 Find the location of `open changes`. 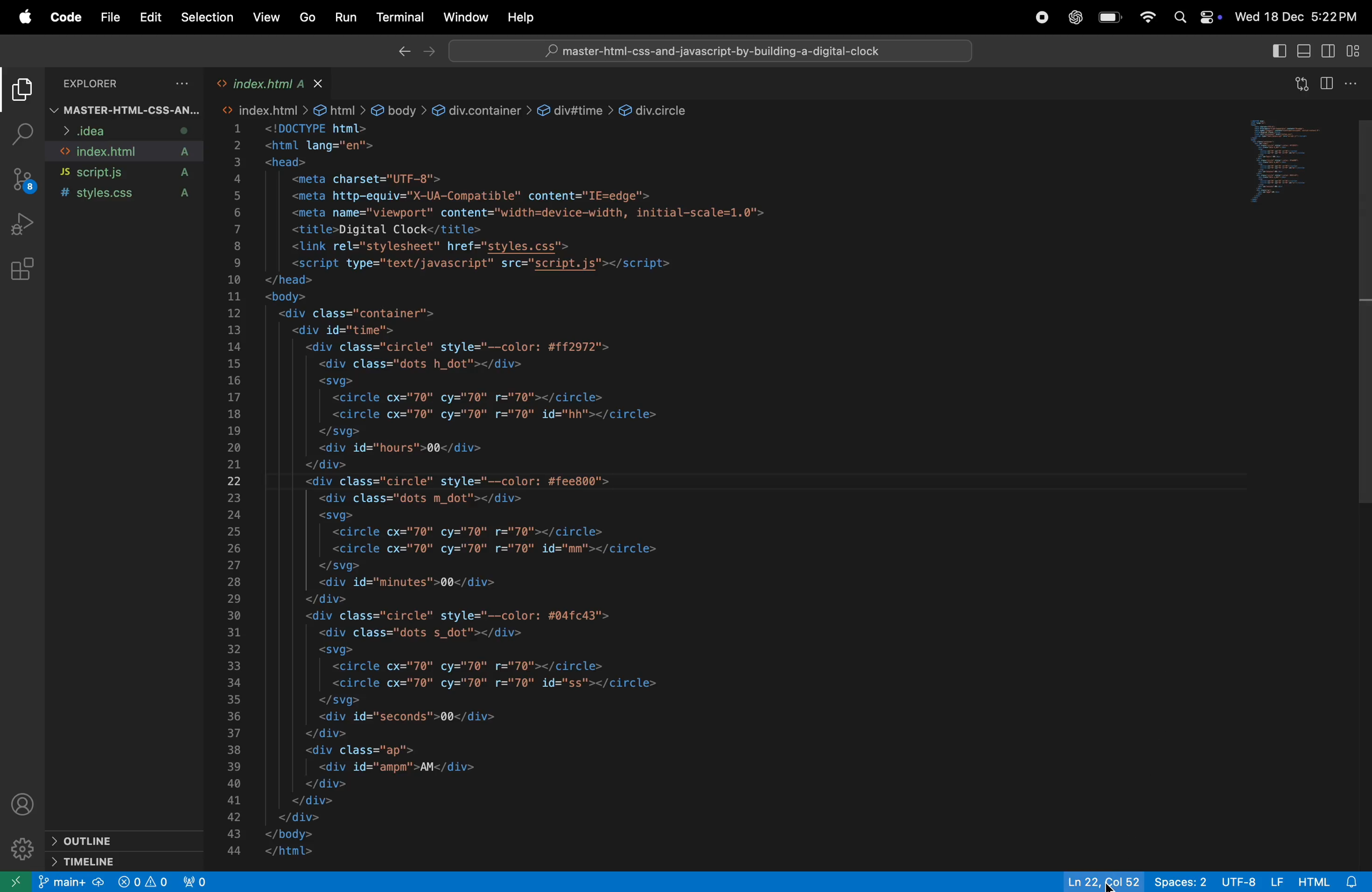

open changes is located at coordinates (1299, 85).